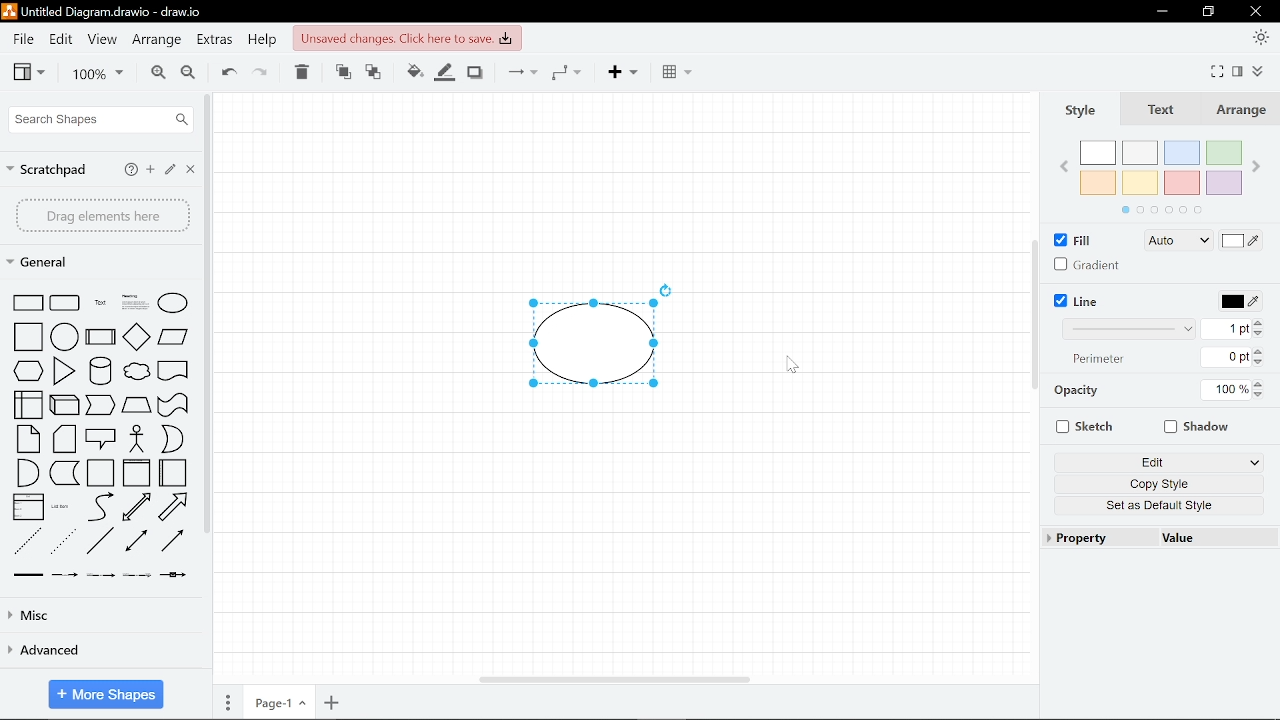 This screenshot has width=1280, height=720. Describe the element at coordinates (135, 508) in the screenshot. I see `bidirectional arrow` at that location.